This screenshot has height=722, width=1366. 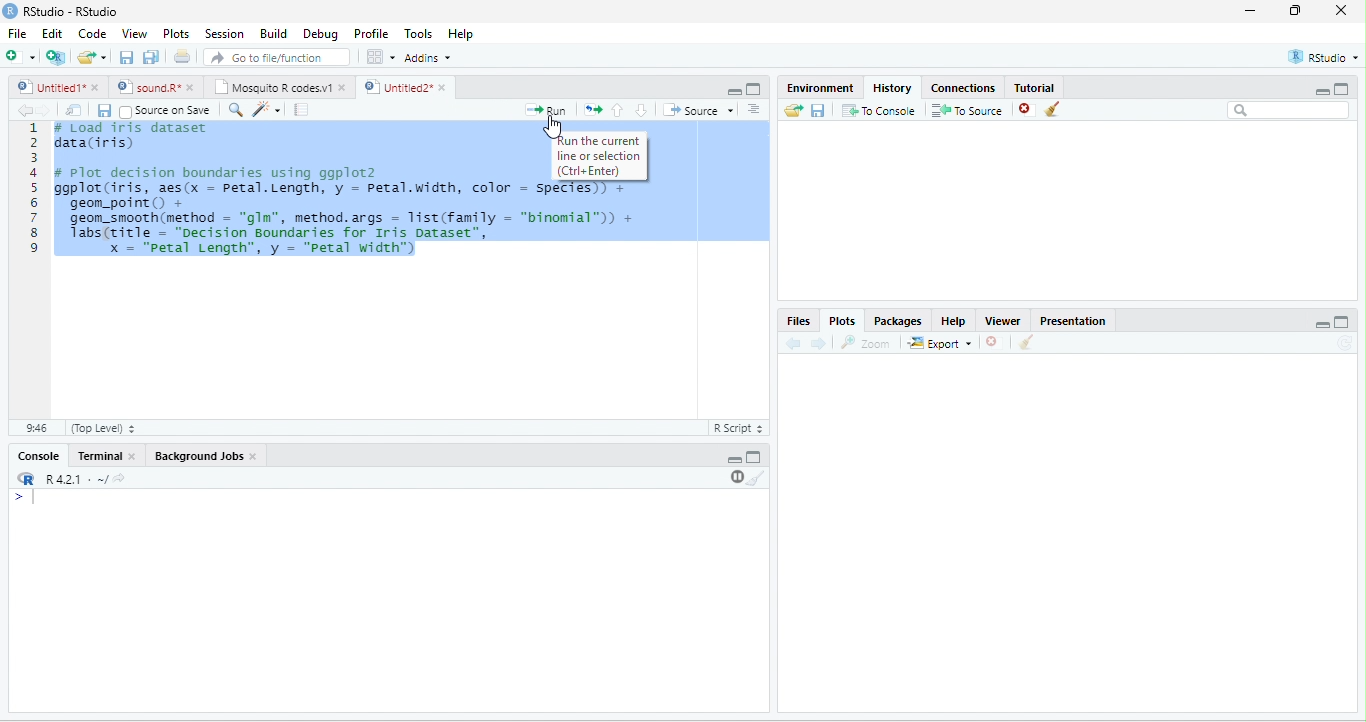 I want to click on search, so click(x=234, y=110).